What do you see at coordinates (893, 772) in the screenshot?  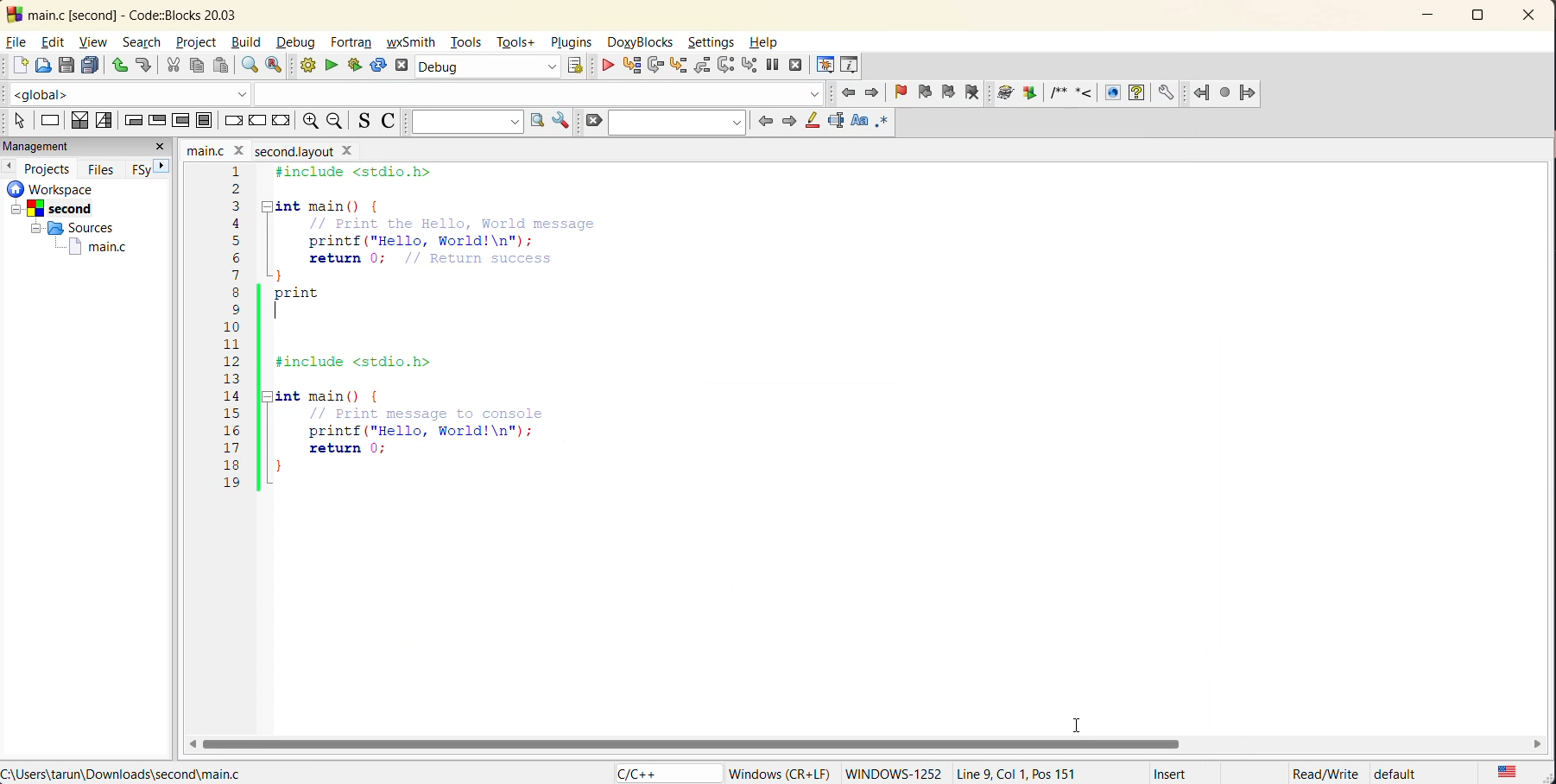 I see `Windows-1252` at bounding box center [893, 772].